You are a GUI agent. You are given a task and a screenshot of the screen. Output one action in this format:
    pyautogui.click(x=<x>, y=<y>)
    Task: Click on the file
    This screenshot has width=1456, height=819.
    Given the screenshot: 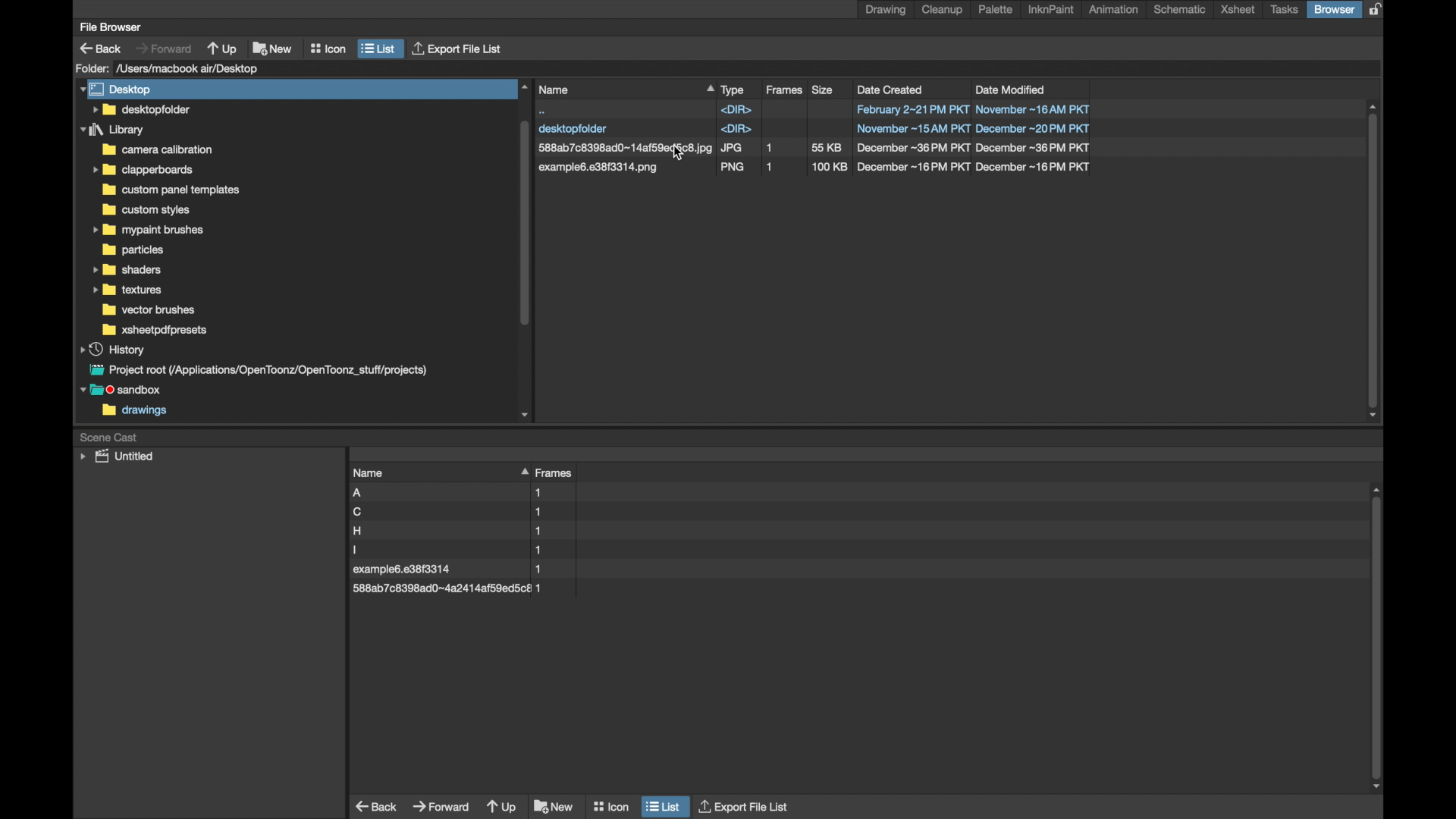 What is the action you would take?
    pyautogui.click(x=452, y=493)
    